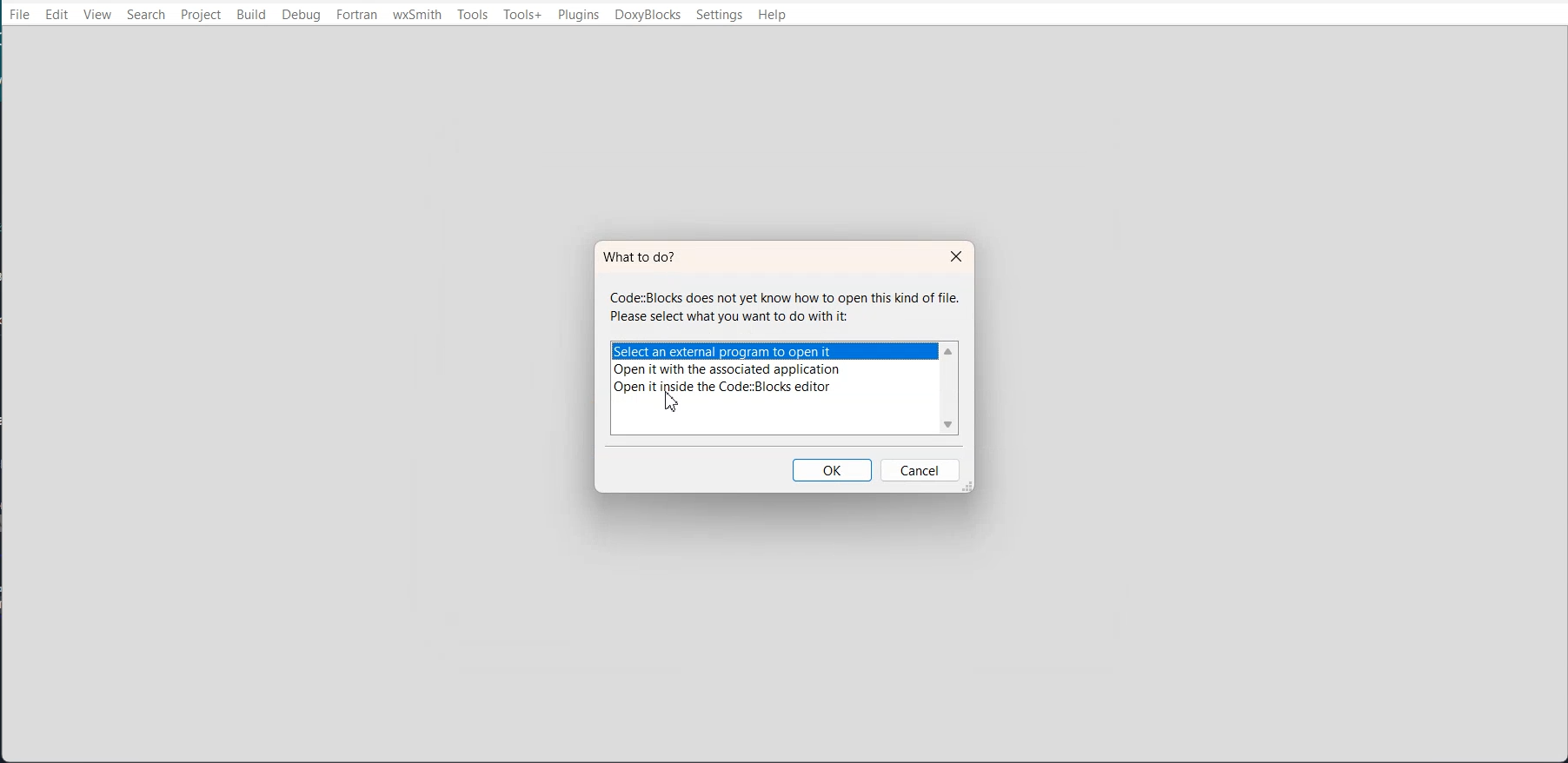 Image resolution: width=1568 pixels, height=763 pixels. I want to click on Plugins, so click(578, 15).